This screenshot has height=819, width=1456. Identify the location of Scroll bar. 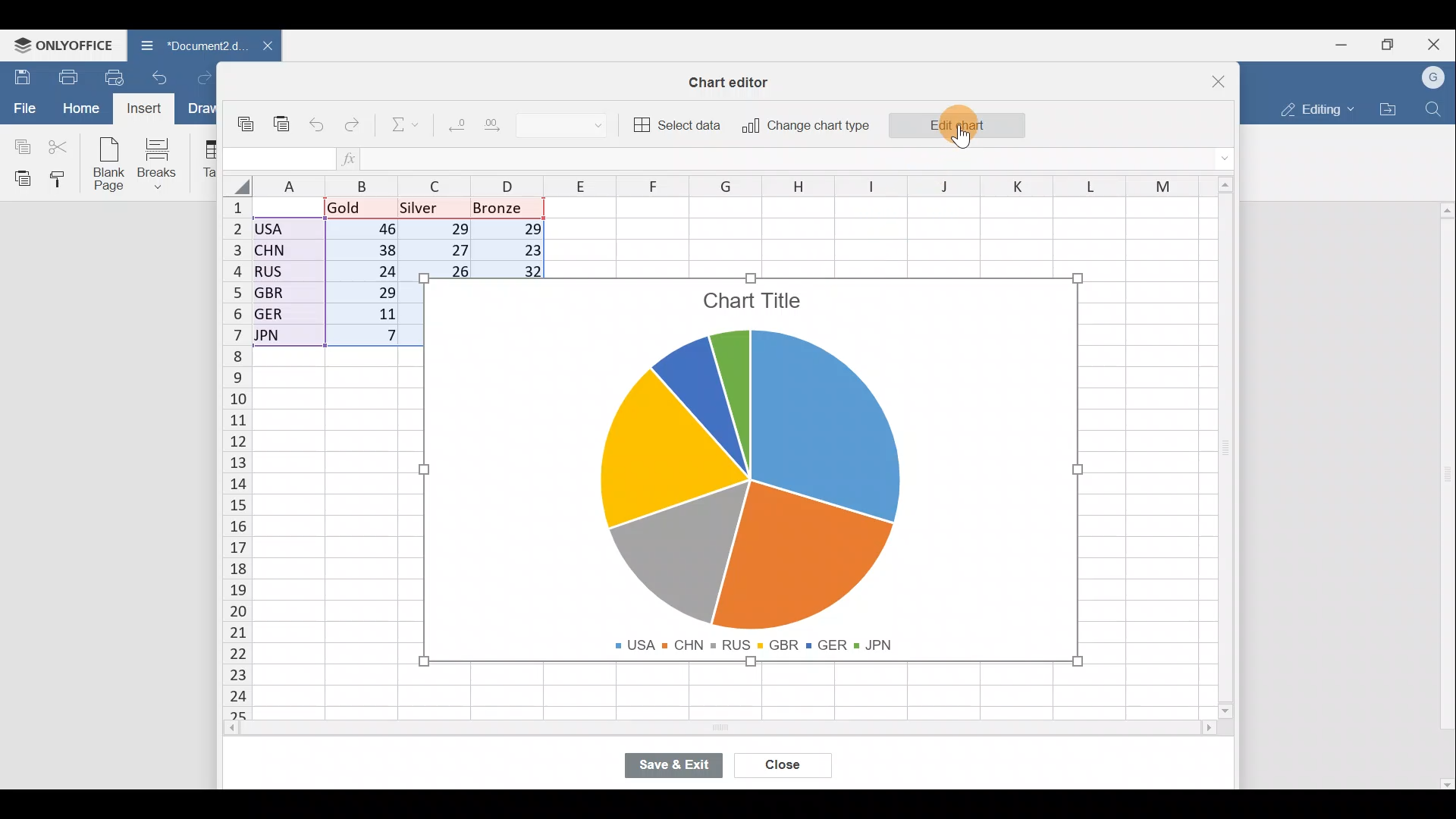
(742, 729).